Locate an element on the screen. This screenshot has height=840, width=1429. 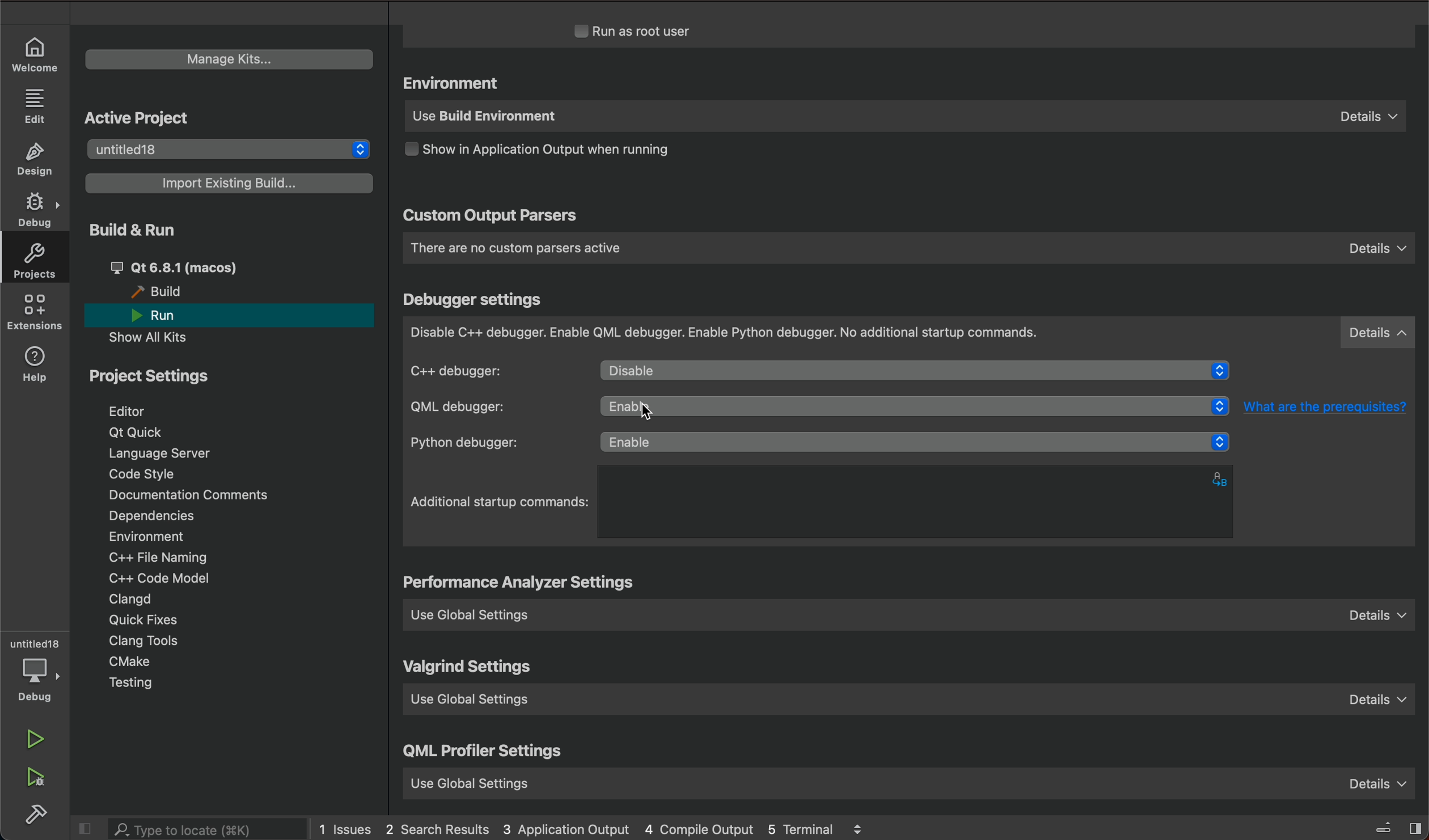
extensions is located at coordinates (37, 315).